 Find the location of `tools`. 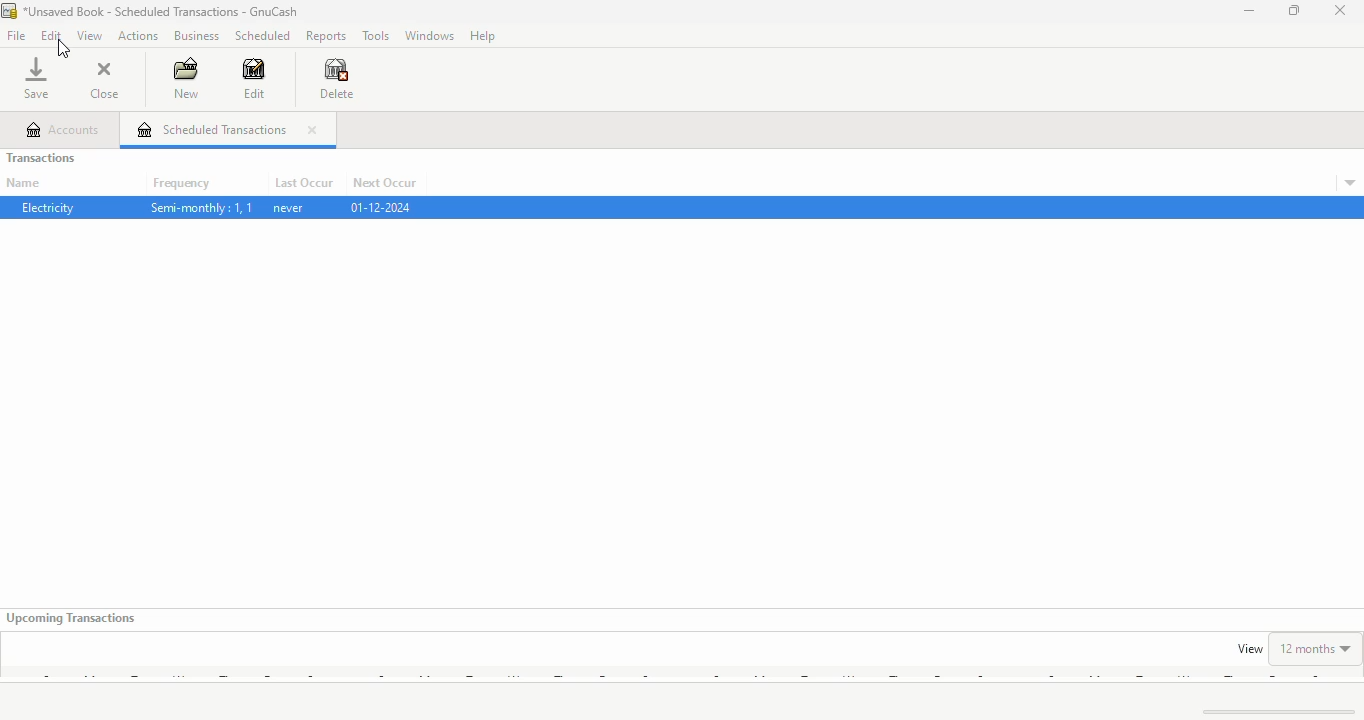

tools is located at coordinates (377, 36).